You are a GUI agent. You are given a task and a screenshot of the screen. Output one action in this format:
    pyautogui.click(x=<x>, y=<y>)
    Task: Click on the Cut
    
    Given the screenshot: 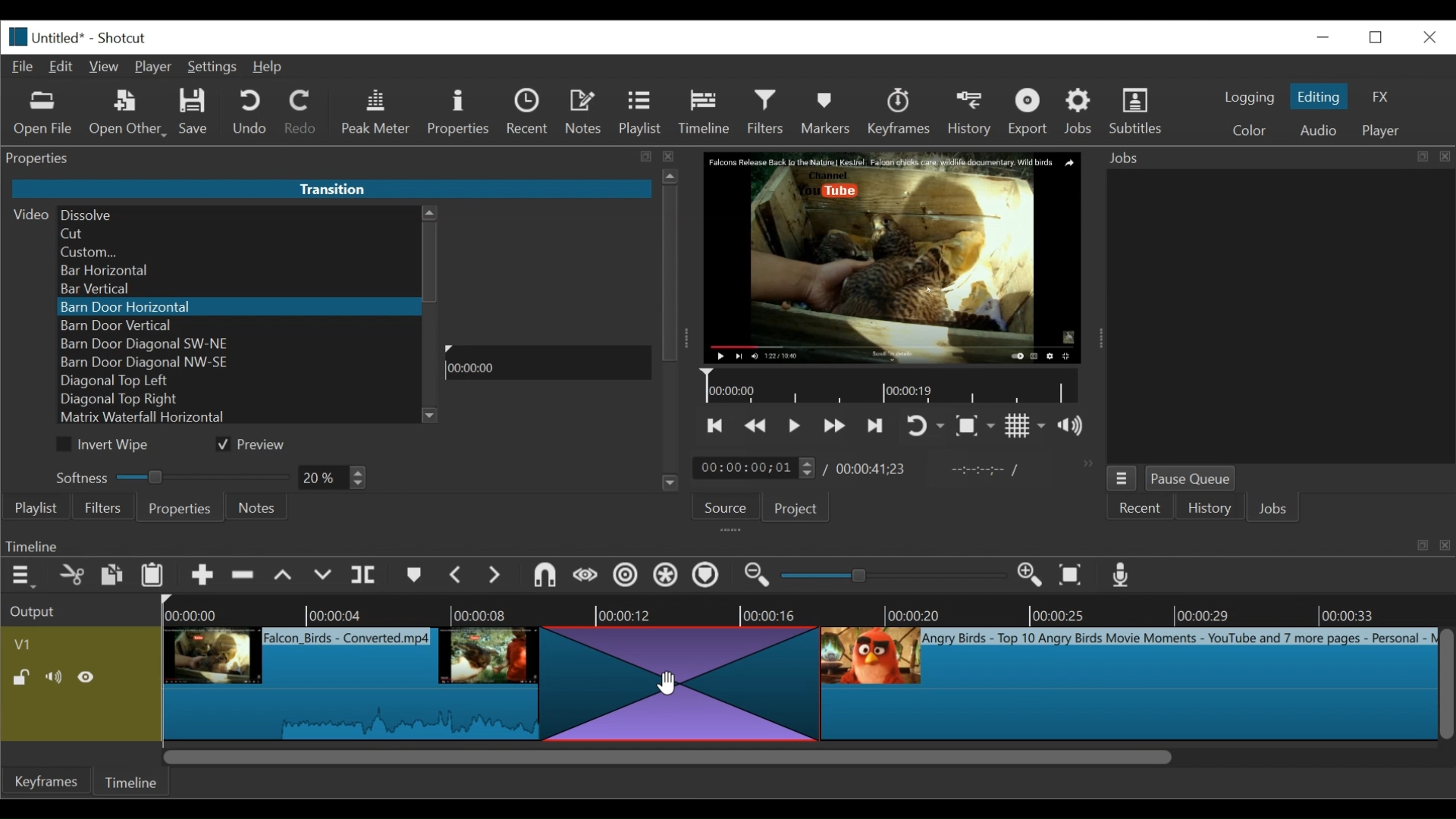 What is the action you would take?
    pyautogui.click(x=74, y=575)
    